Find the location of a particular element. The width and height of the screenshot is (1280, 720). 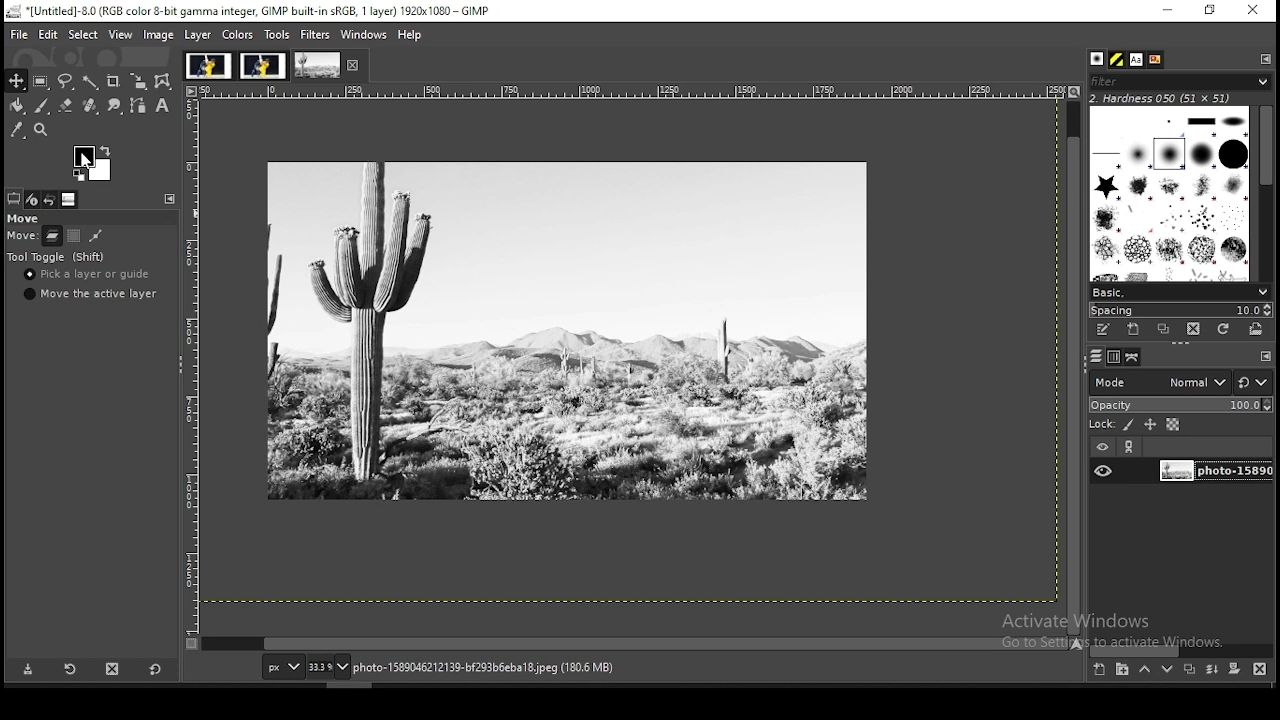

fonts is located at coordinates (1138, 59).